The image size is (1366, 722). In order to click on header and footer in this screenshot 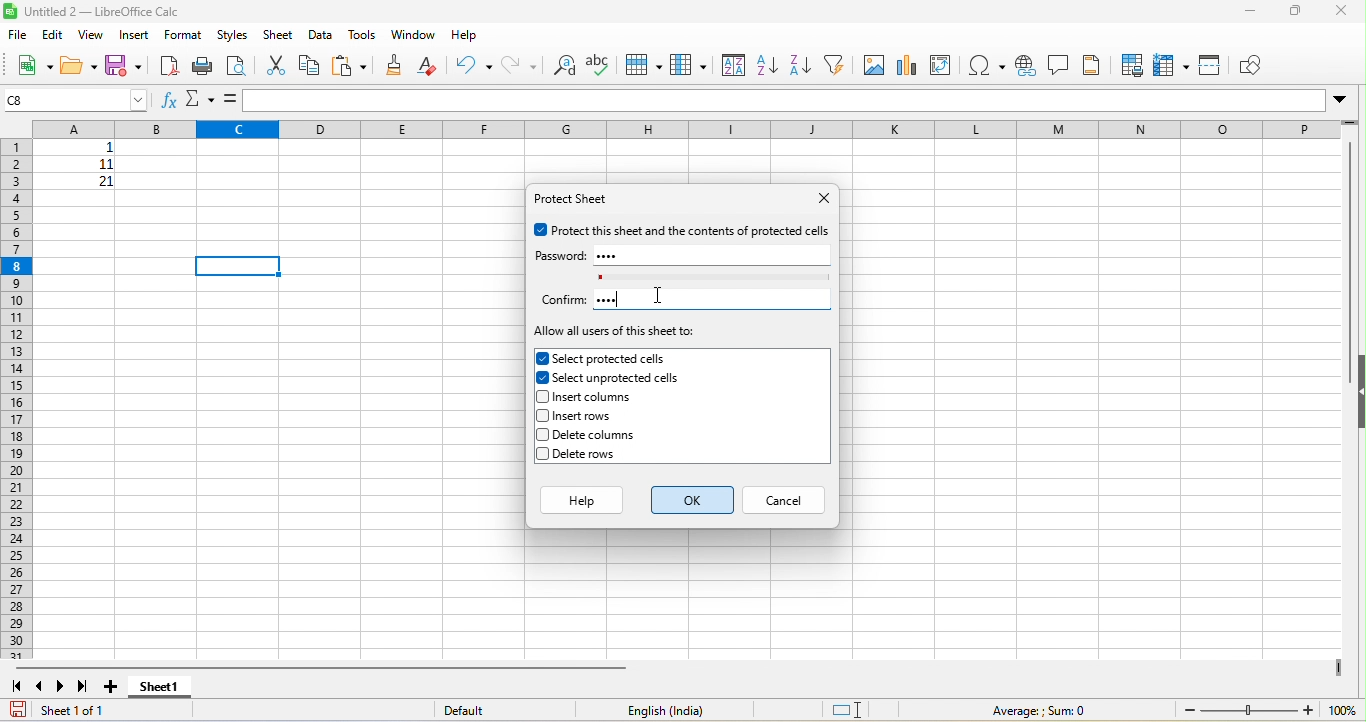, I will do `click(1095, 65)`.